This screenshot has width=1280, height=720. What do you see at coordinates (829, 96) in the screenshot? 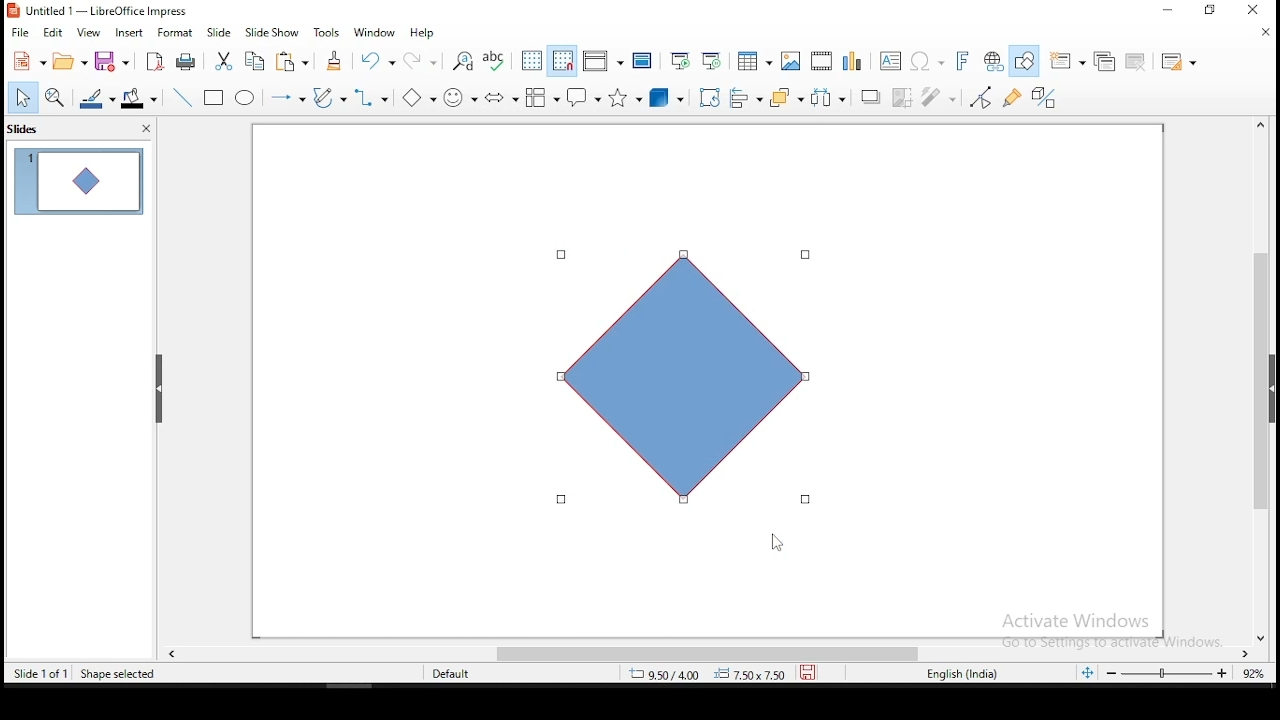
I see `distribute` at bounding box center [829, 96].